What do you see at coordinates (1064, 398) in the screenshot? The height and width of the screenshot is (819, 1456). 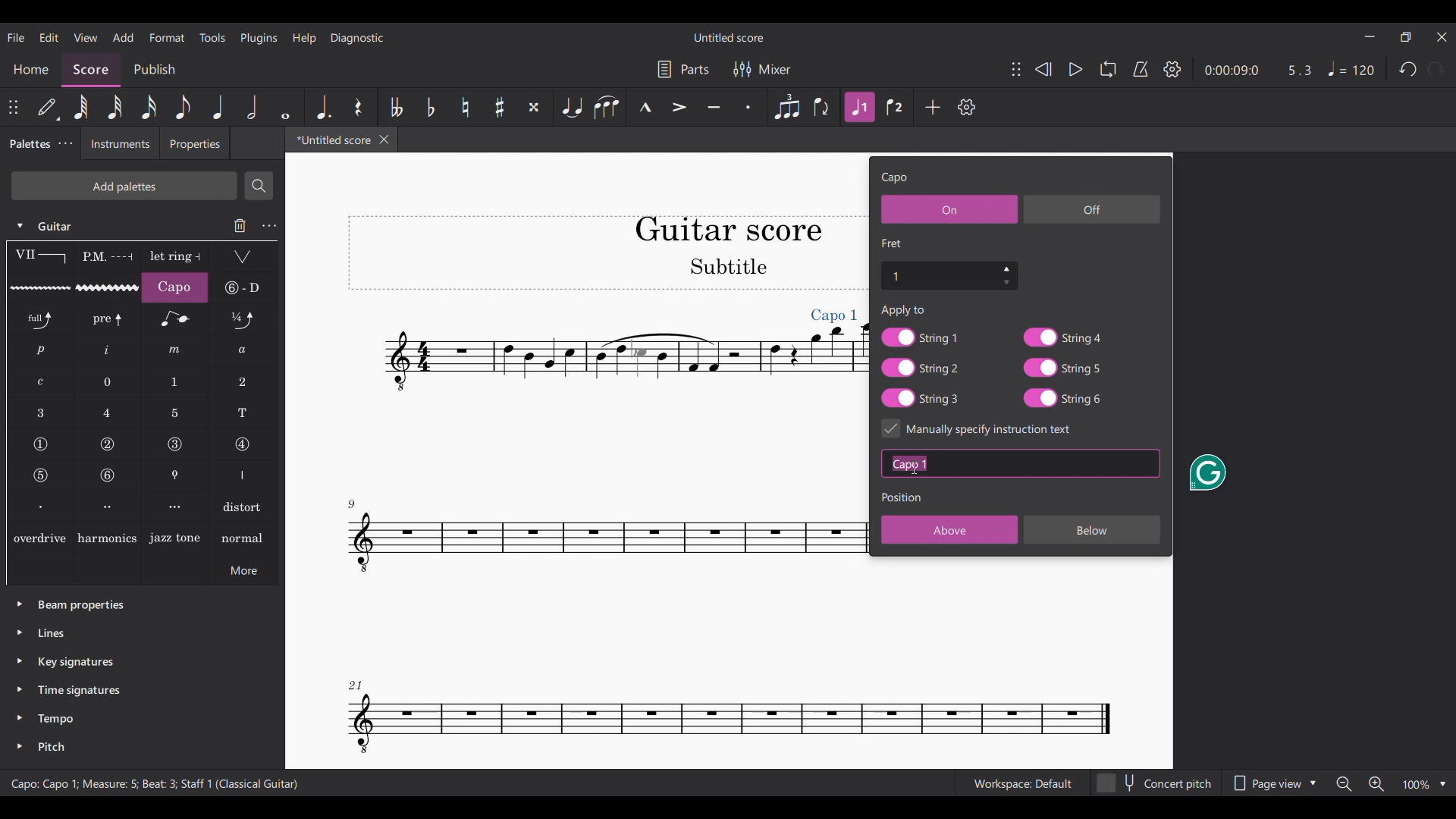 I see `String 6 toggle` at bounding box center [1064, 398].